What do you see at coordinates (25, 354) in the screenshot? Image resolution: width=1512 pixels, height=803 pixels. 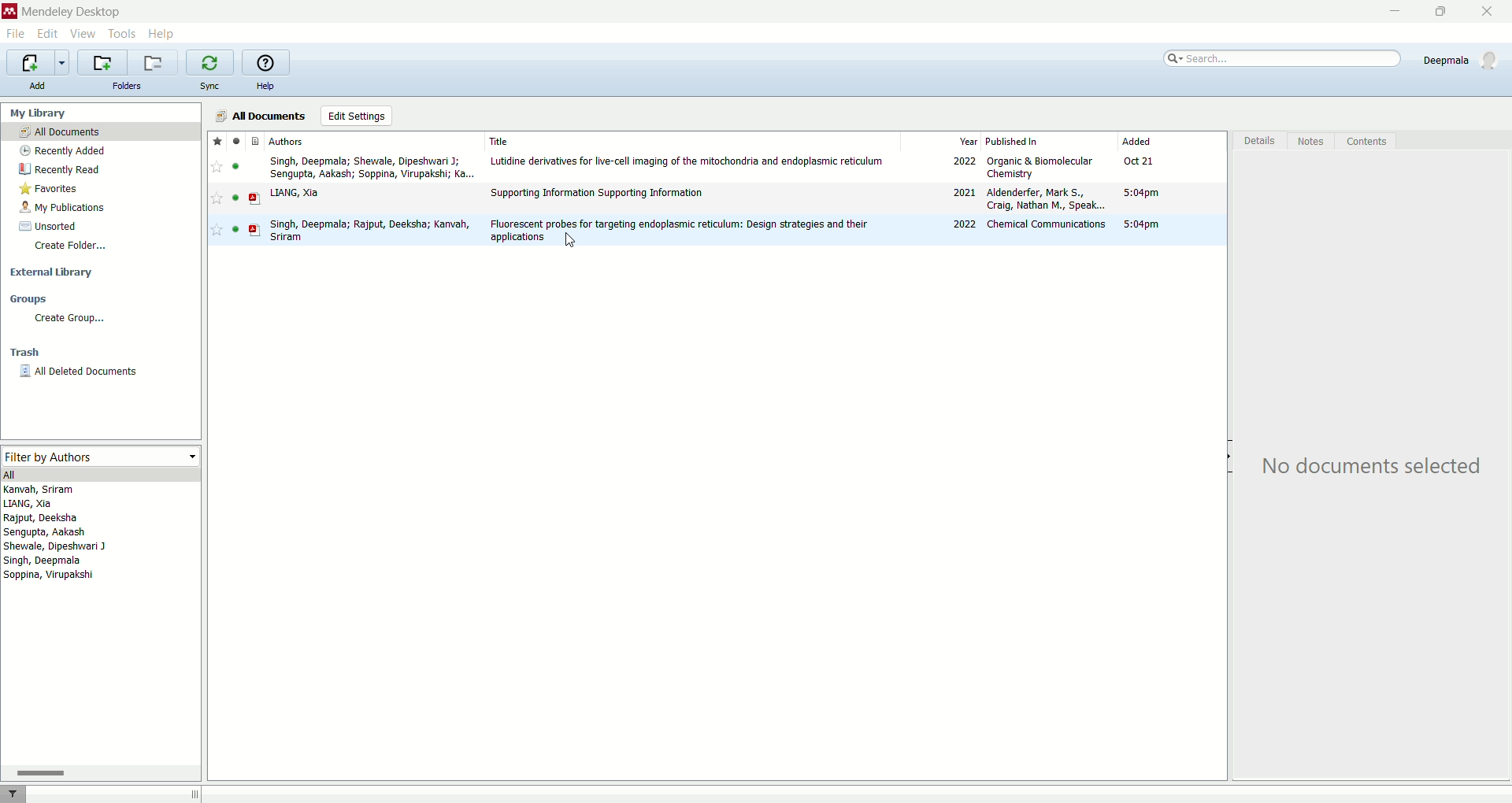 I see `trash` at bounding box center [25, 354].